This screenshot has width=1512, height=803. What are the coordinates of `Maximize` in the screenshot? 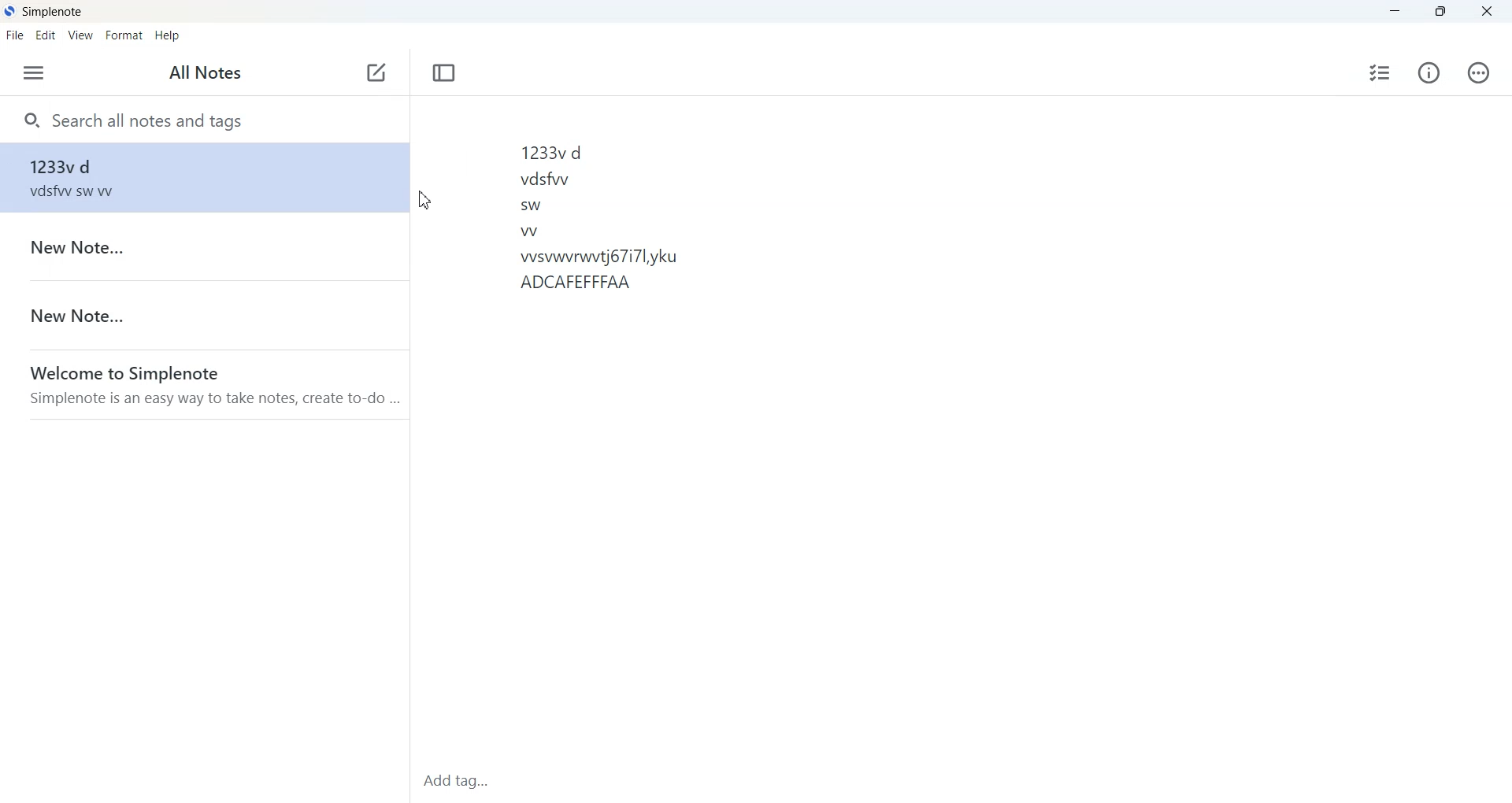 It's located at (1440, 12).